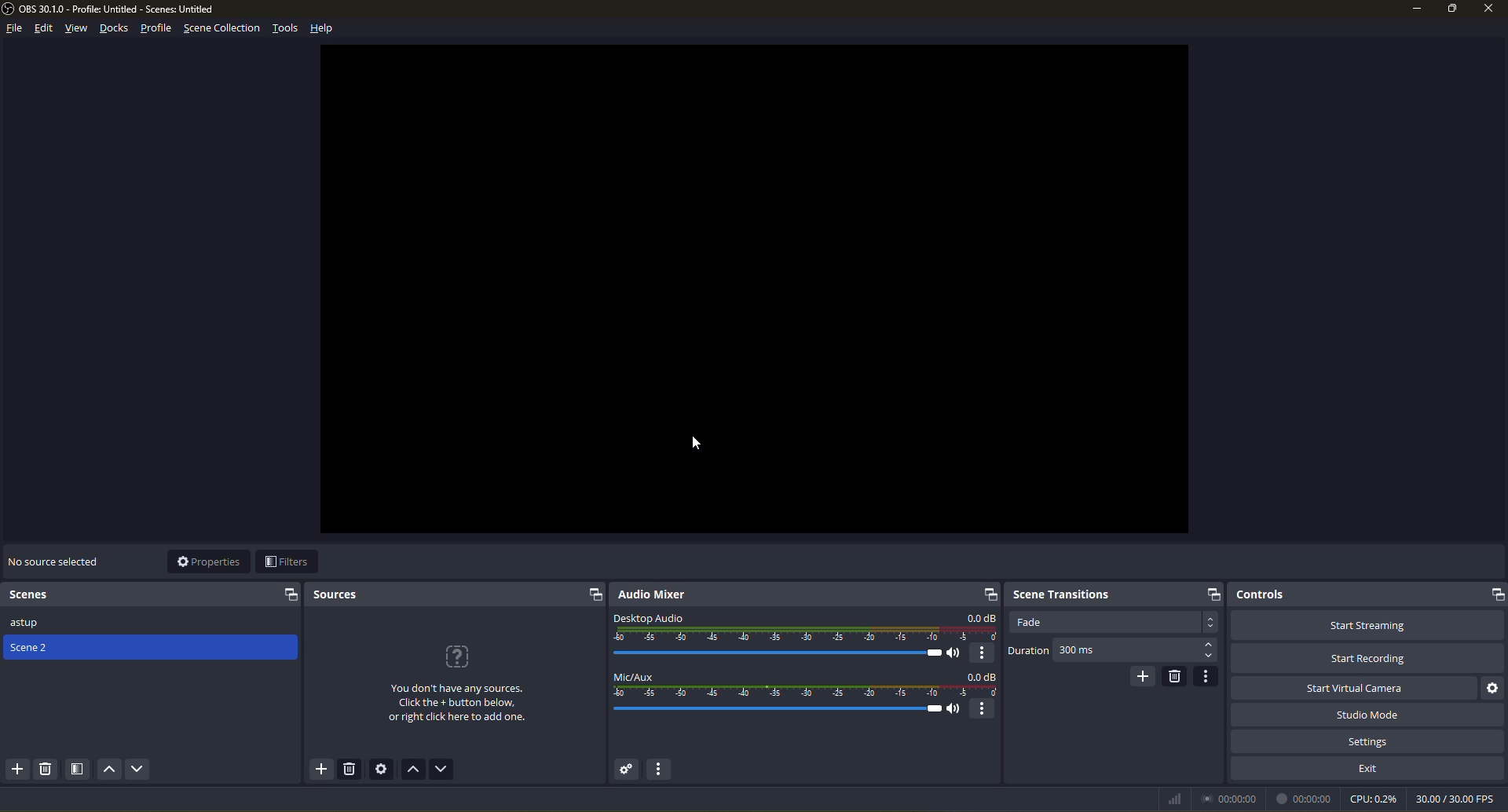  I want to click on minimize, so click(1416, 9).